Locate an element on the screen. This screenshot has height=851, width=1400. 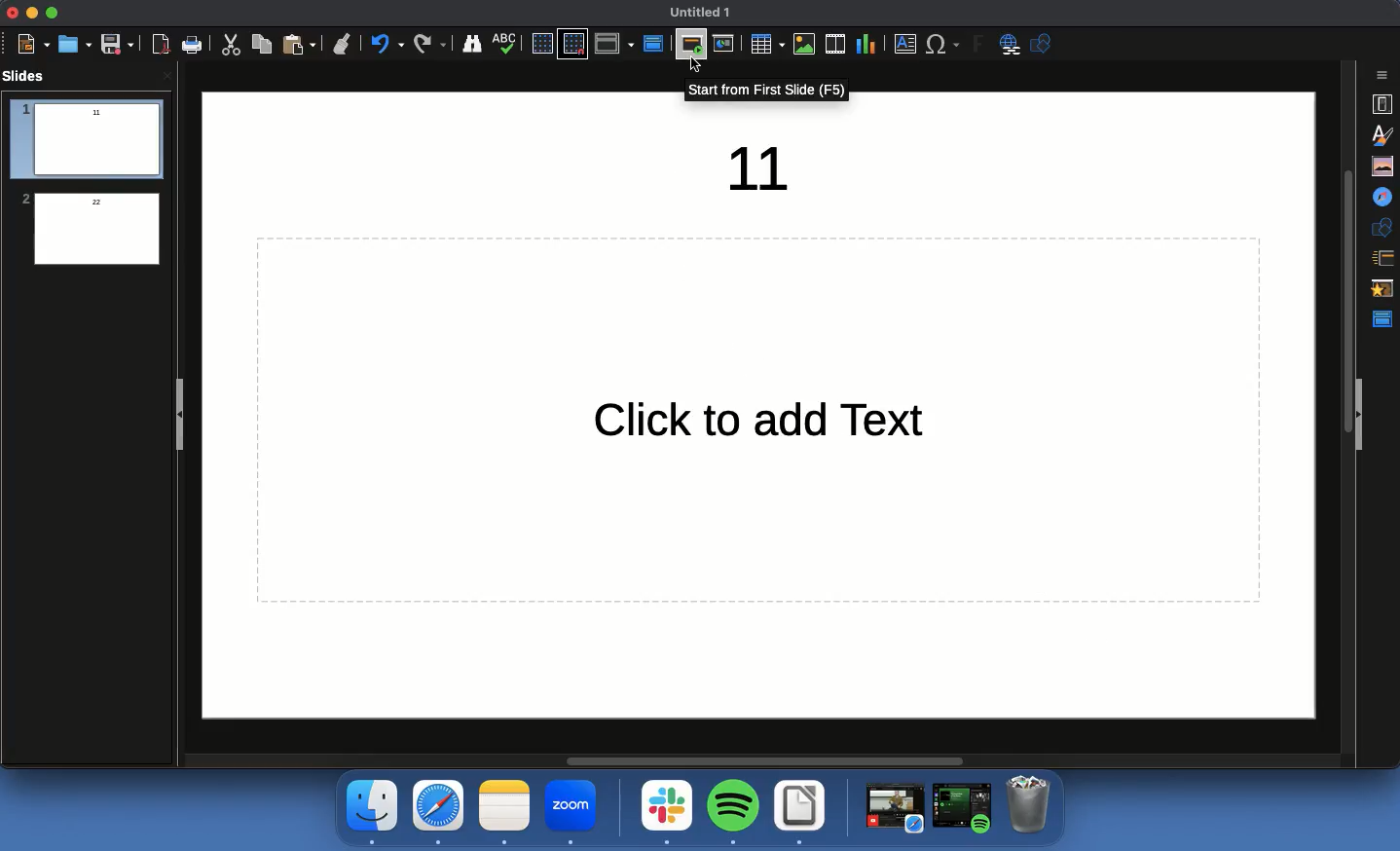
cursor is located at coordinates (695, 67).